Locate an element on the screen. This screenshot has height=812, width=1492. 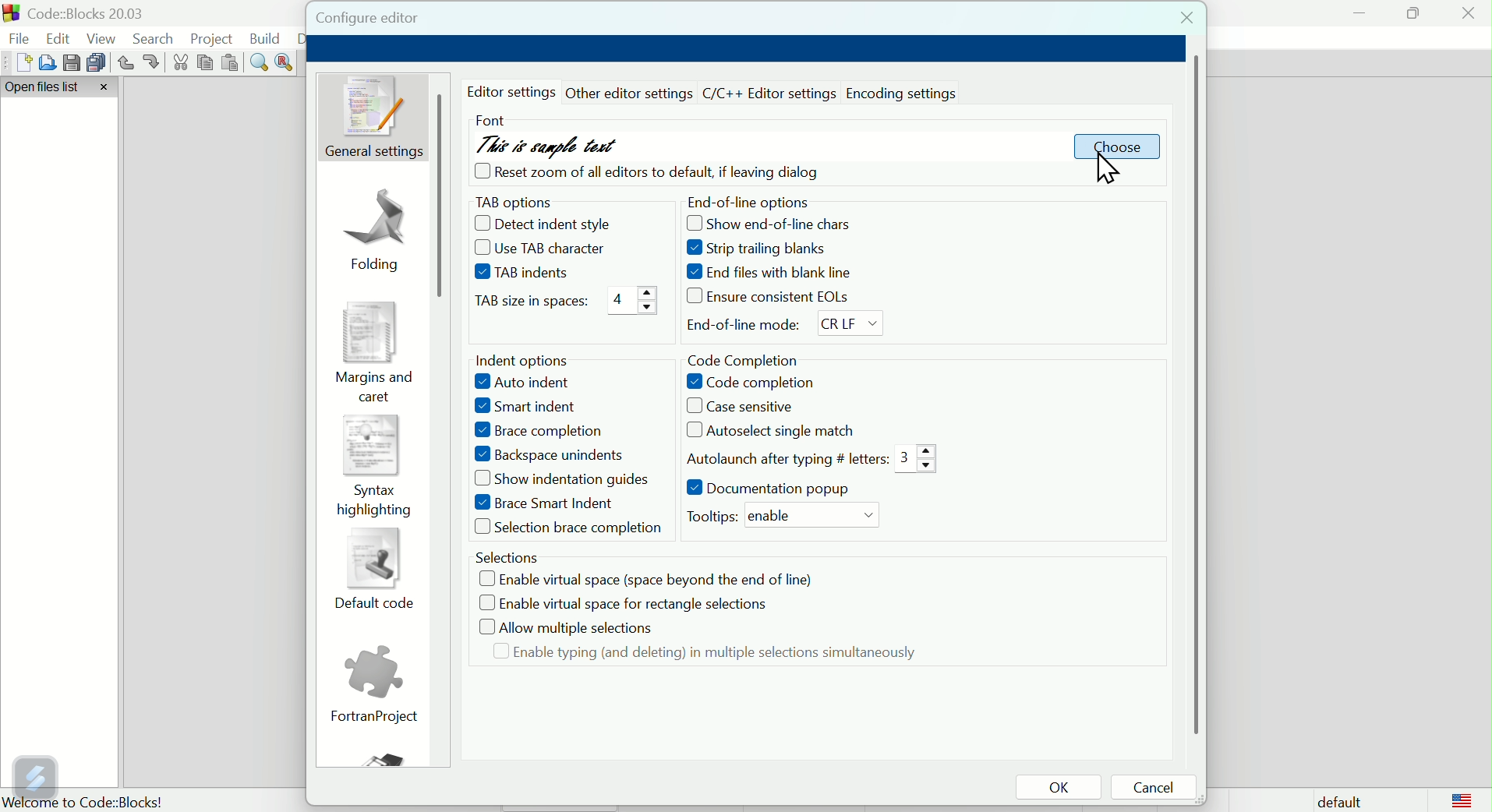
Enable virtual space for rectangle selections is located at coordinates (619, 602).